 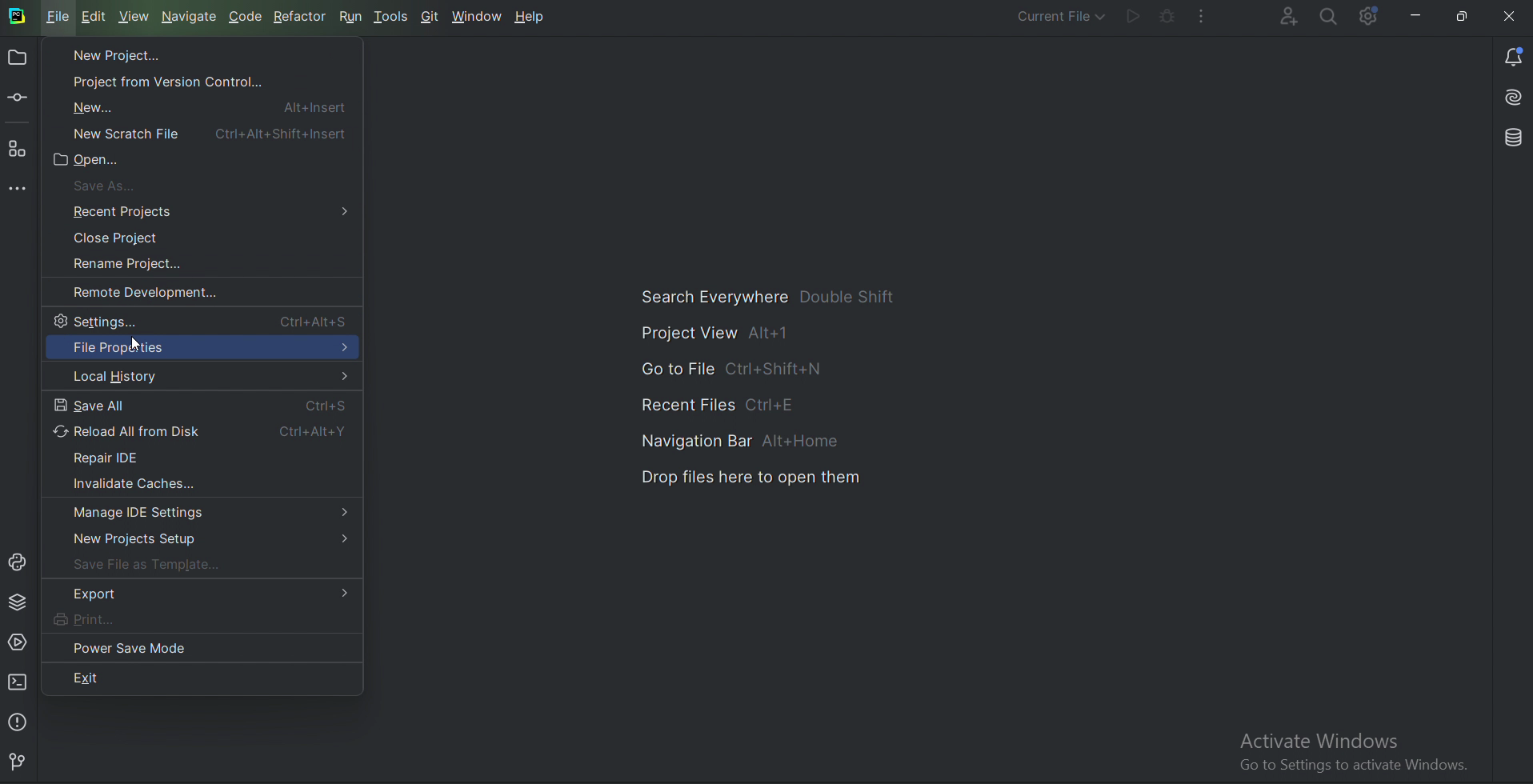 I want to click on Problems, so click(x=20, y=722).